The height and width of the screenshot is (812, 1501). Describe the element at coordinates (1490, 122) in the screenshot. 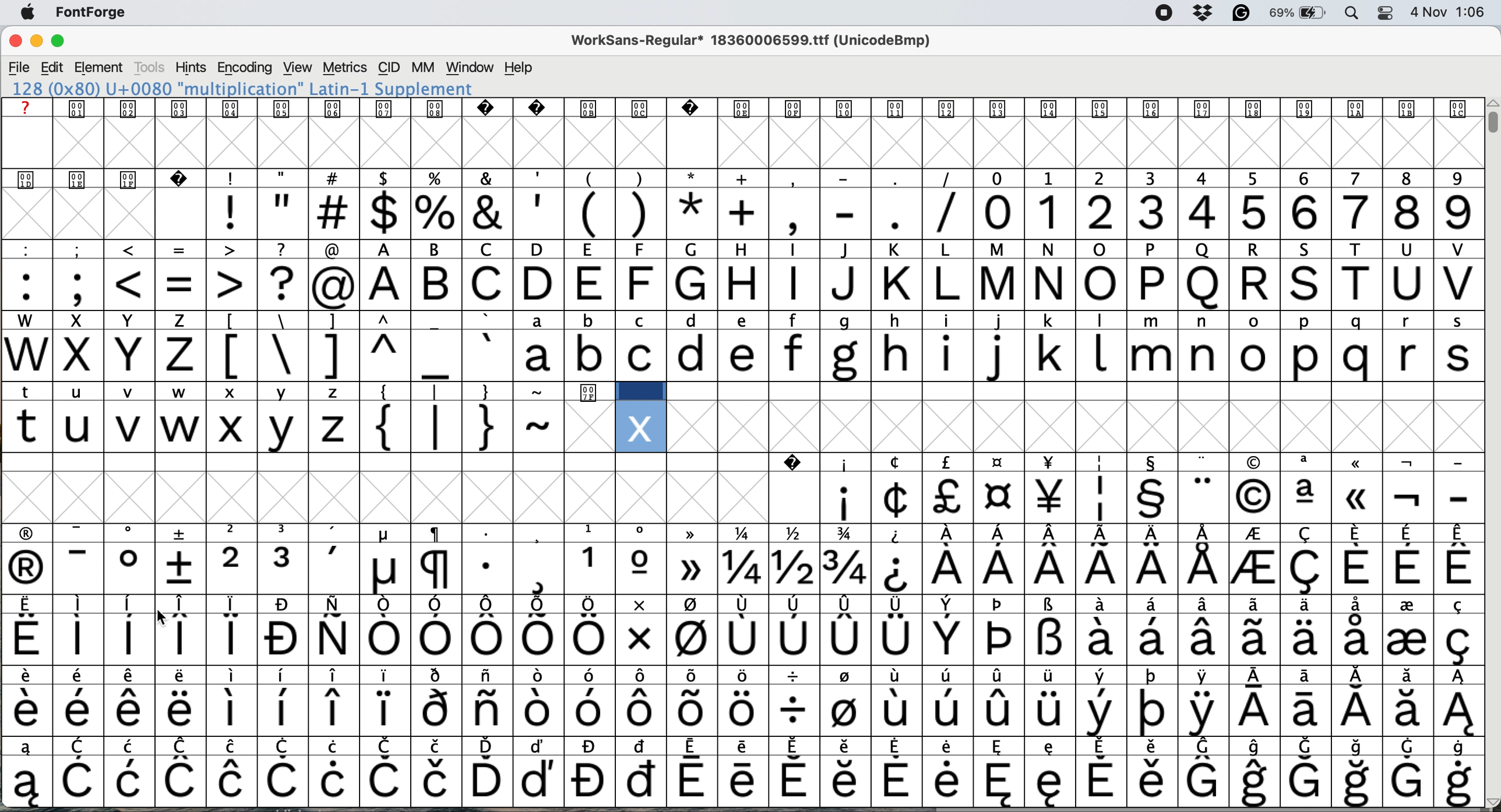

I see `vertical scroll bar` at that location.